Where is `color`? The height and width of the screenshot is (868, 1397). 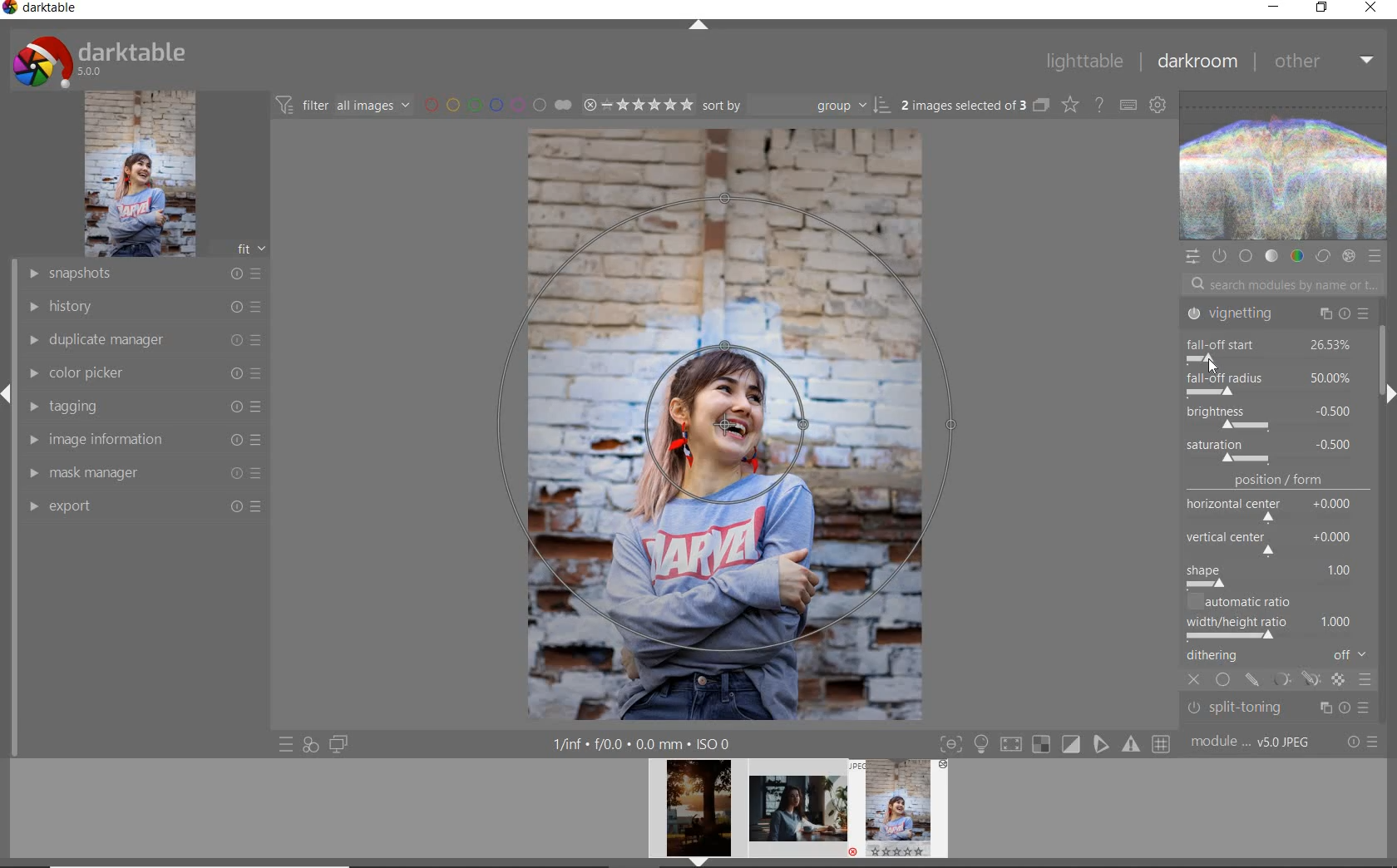 color is located at coordinates (1296, 255).